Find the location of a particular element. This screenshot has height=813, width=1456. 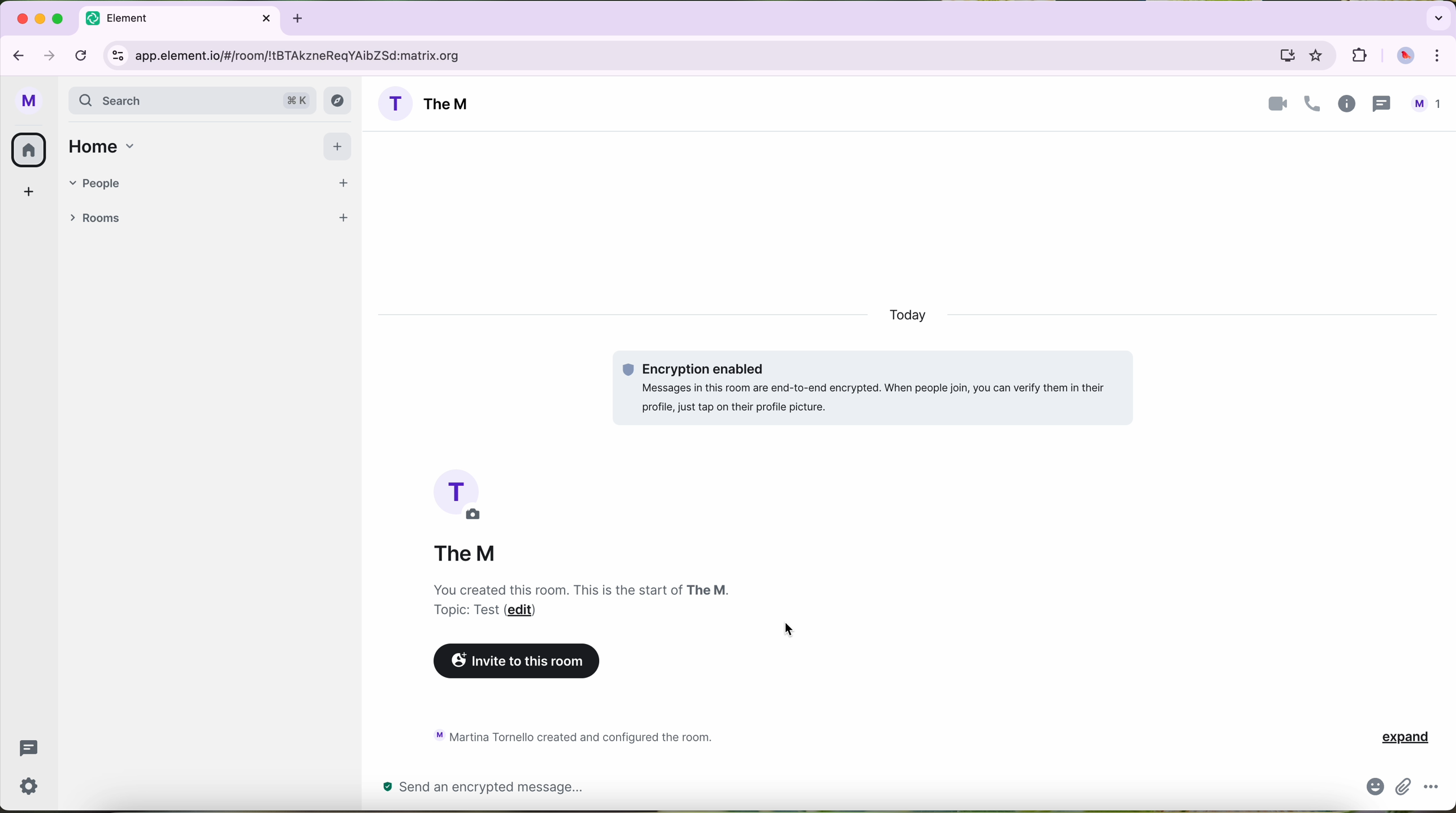

threads is located at coordinates (1355, 102).